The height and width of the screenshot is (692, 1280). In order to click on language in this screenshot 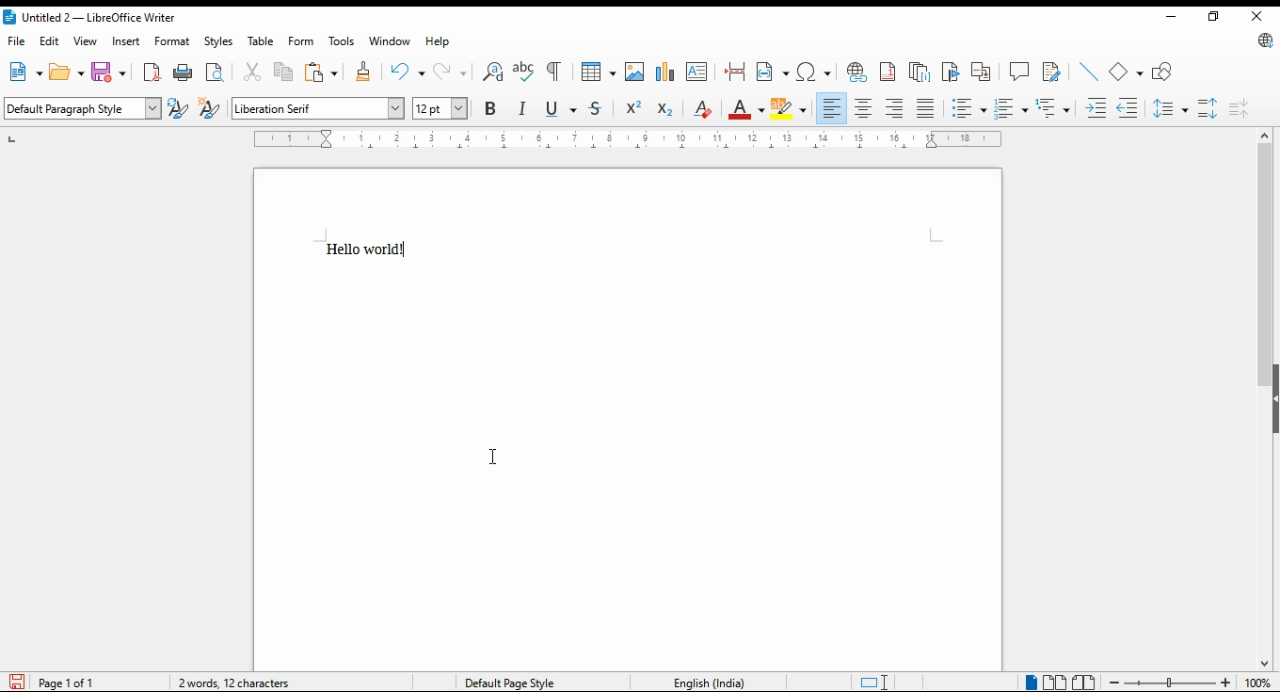, I will do `click(706, 680)`.